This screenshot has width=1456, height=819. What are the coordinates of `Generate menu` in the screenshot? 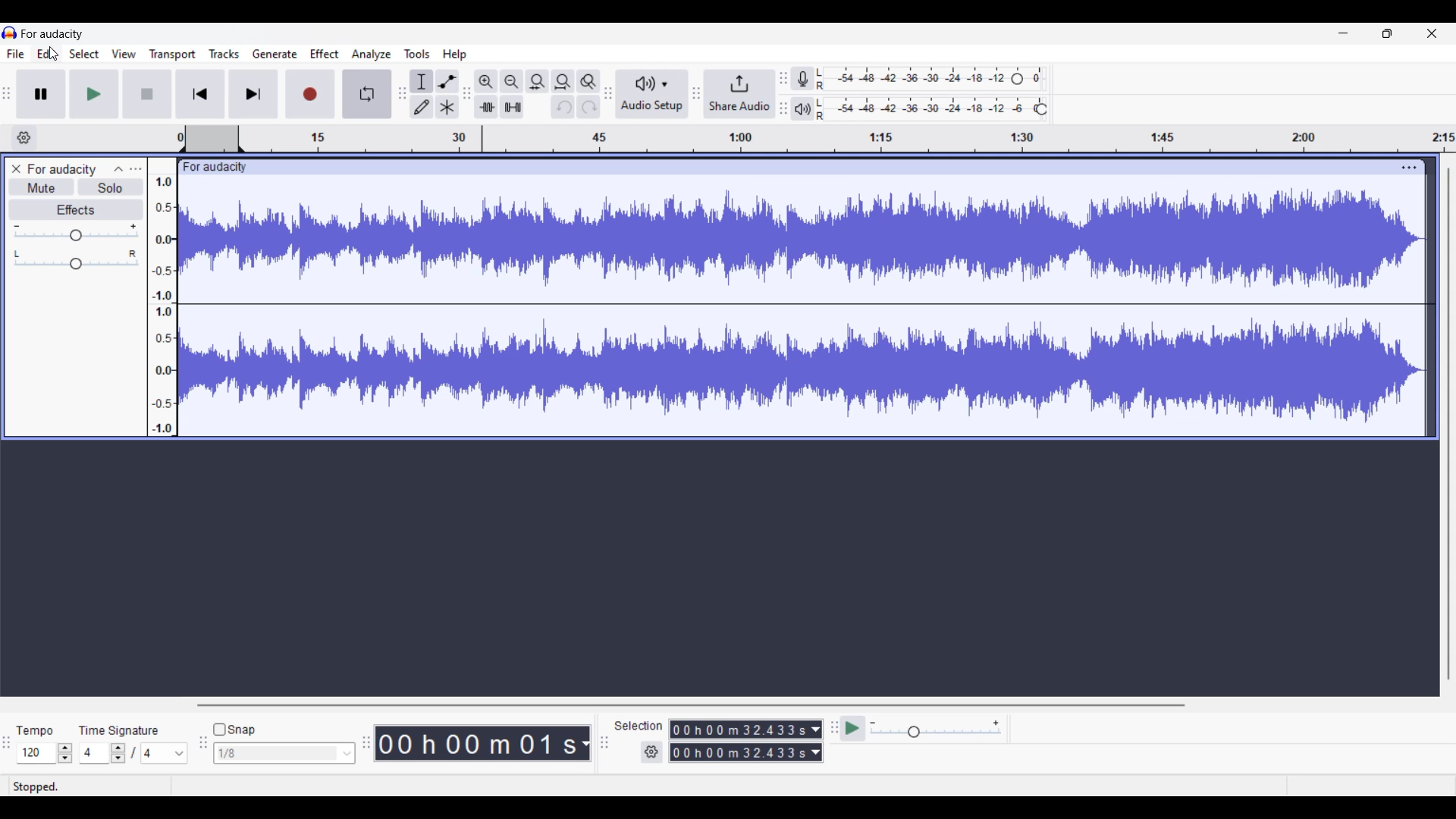 It's located at (275, 54).